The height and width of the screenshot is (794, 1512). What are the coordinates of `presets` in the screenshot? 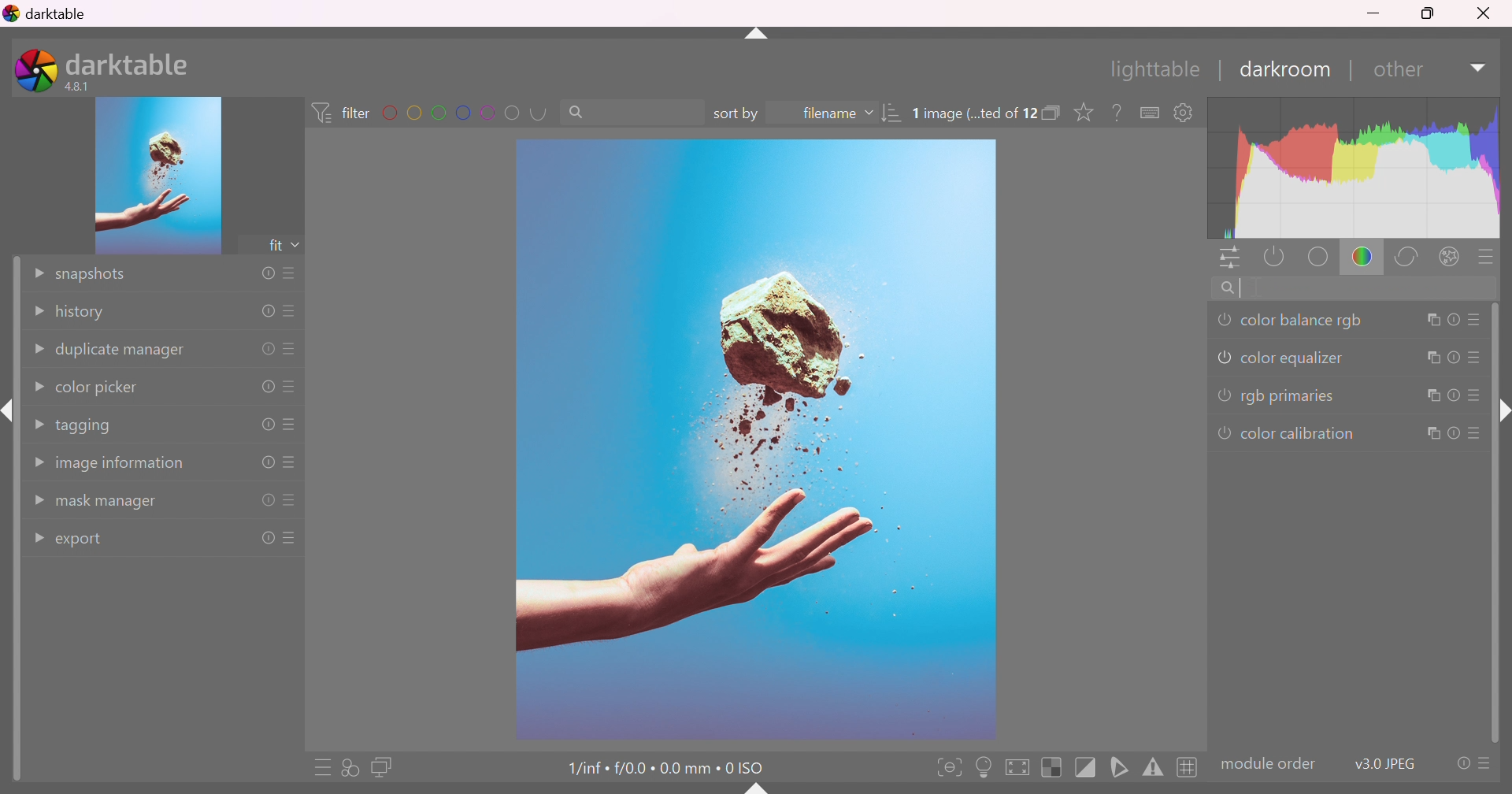 It's located at (291, 463).